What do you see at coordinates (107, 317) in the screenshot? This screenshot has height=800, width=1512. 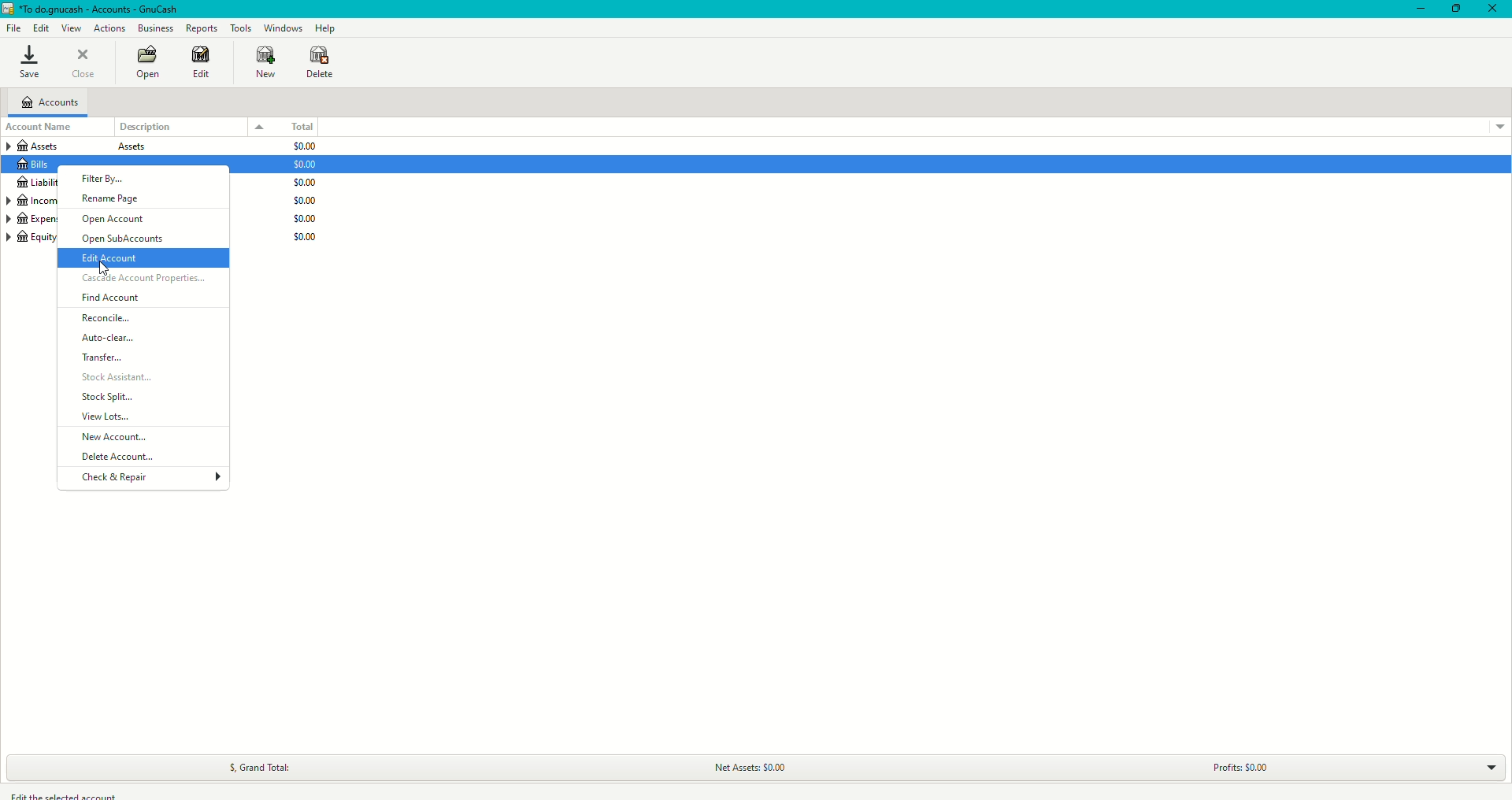 I see `Reconcile` at bounding box center [107, 317].